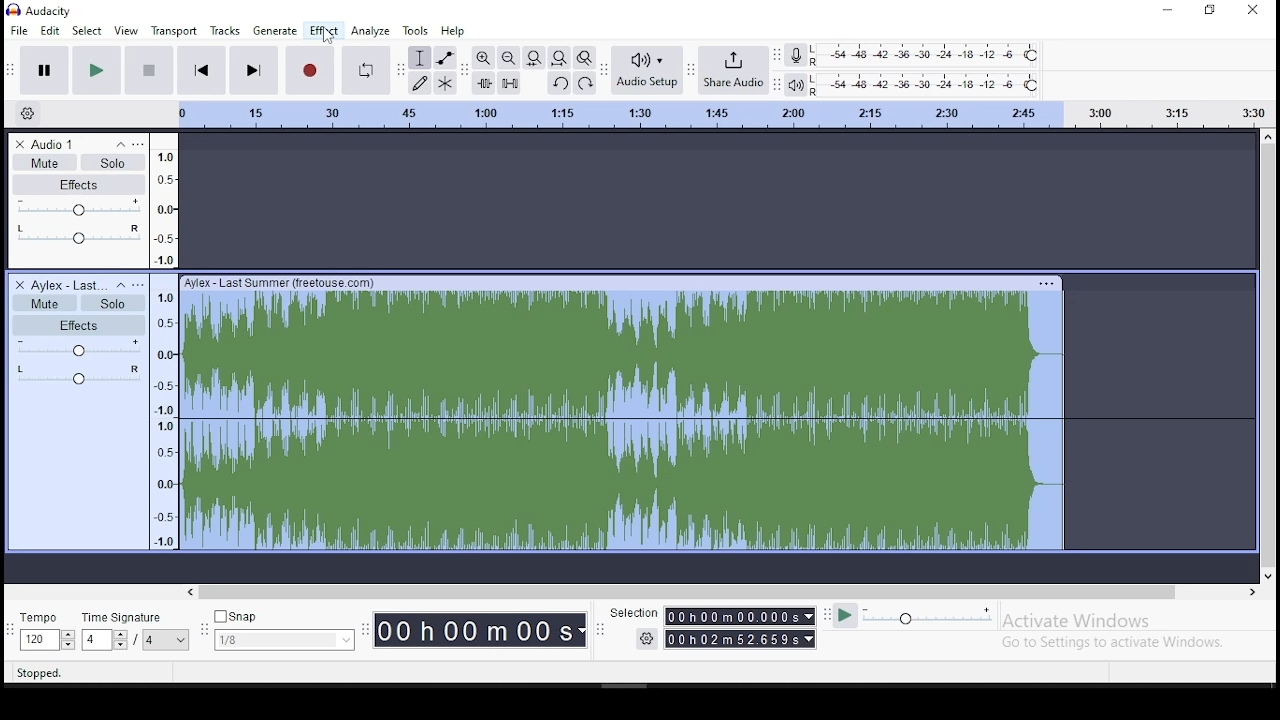 This screenshot has width=1280, height=720. Describe the element at coordinates (83, 350) in the screenshot. I see `volume` at that location.